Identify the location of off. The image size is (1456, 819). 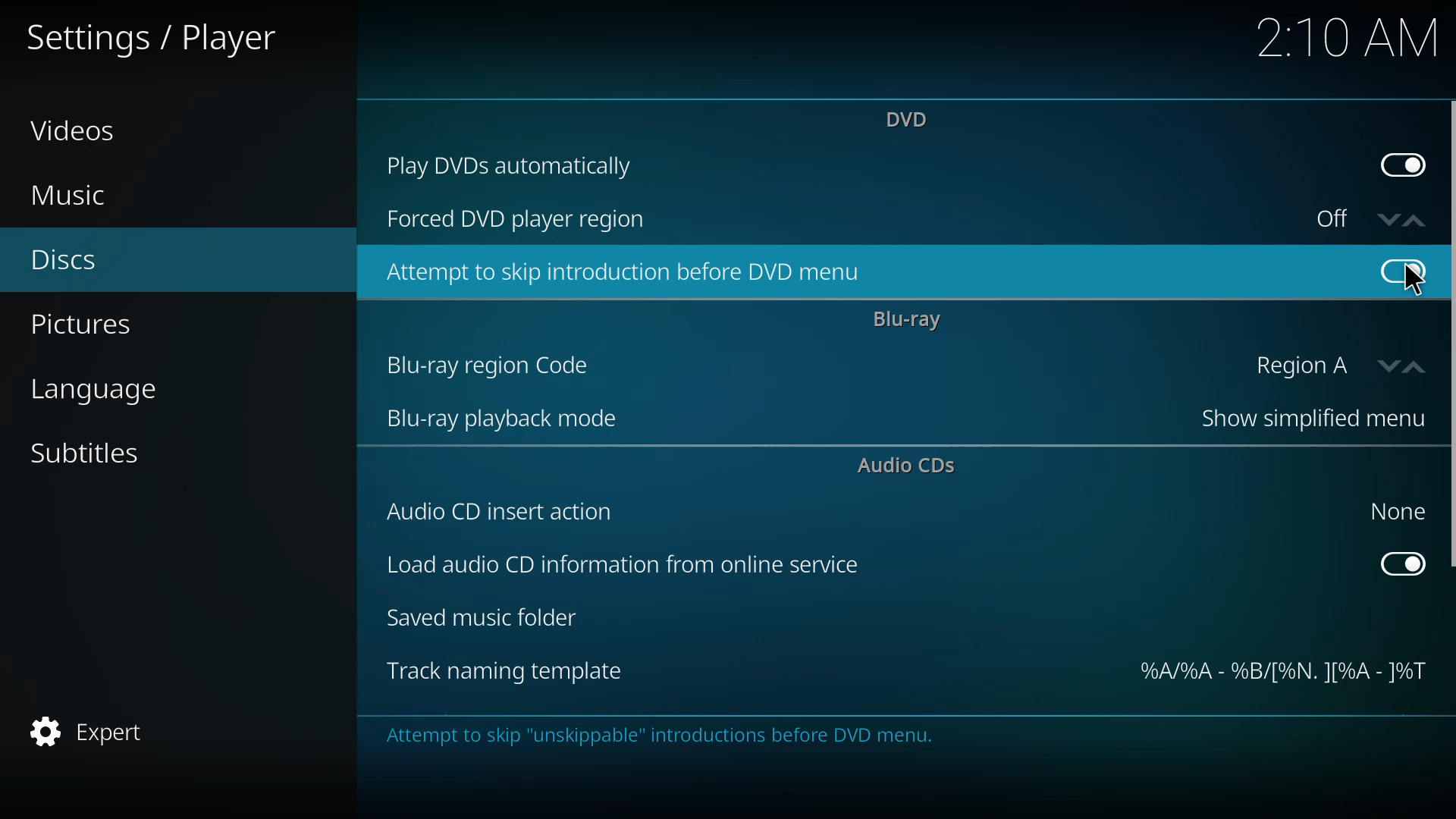
(1357, 218).